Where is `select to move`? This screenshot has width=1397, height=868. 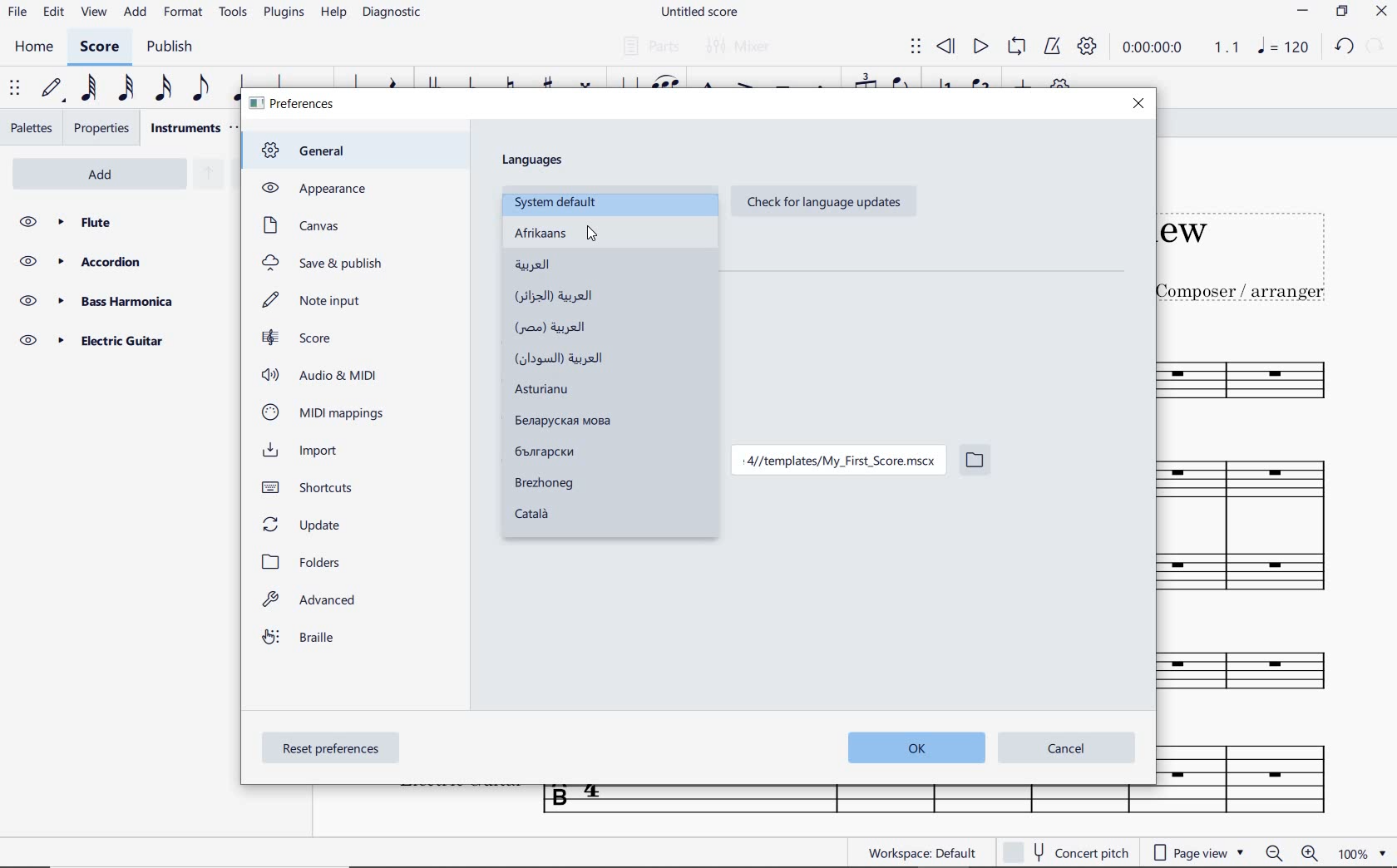
select to move is located at coordinates (916, 47).